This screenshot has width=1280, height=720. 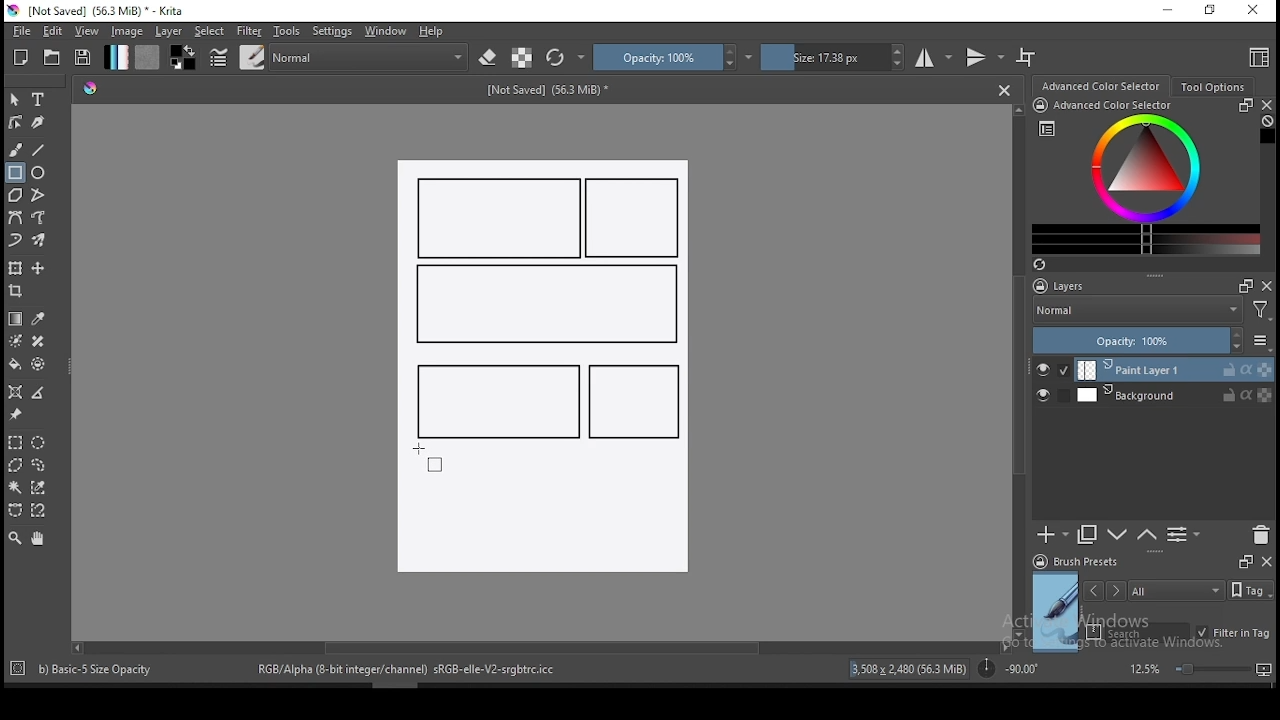 I want to click on pan tool, so click(x=36, y=539).